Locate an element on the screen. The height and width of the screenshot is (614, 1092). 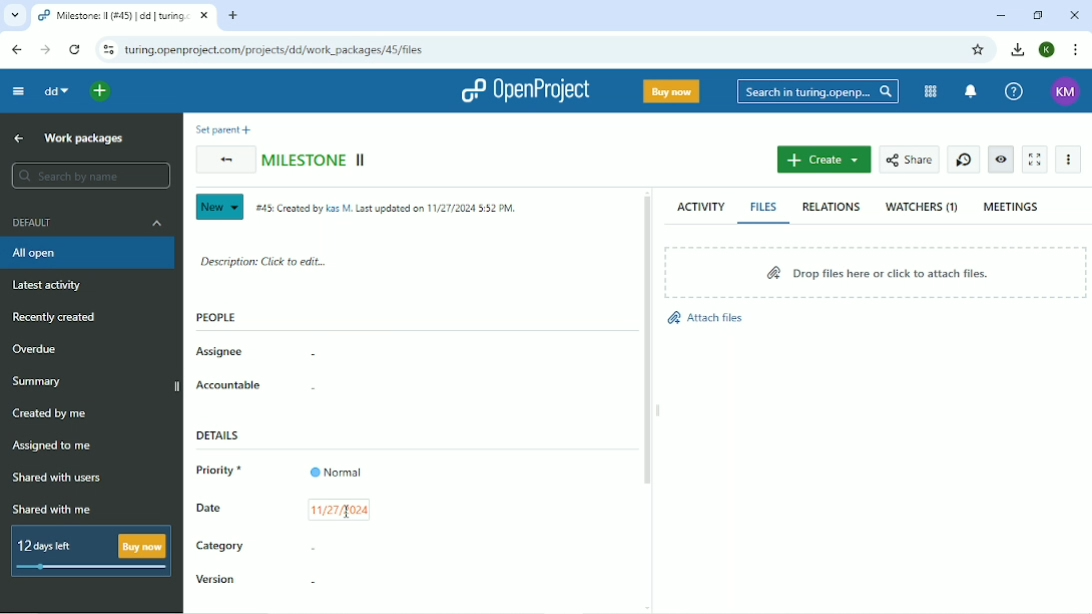
Site is located at coordinates (283, 50).